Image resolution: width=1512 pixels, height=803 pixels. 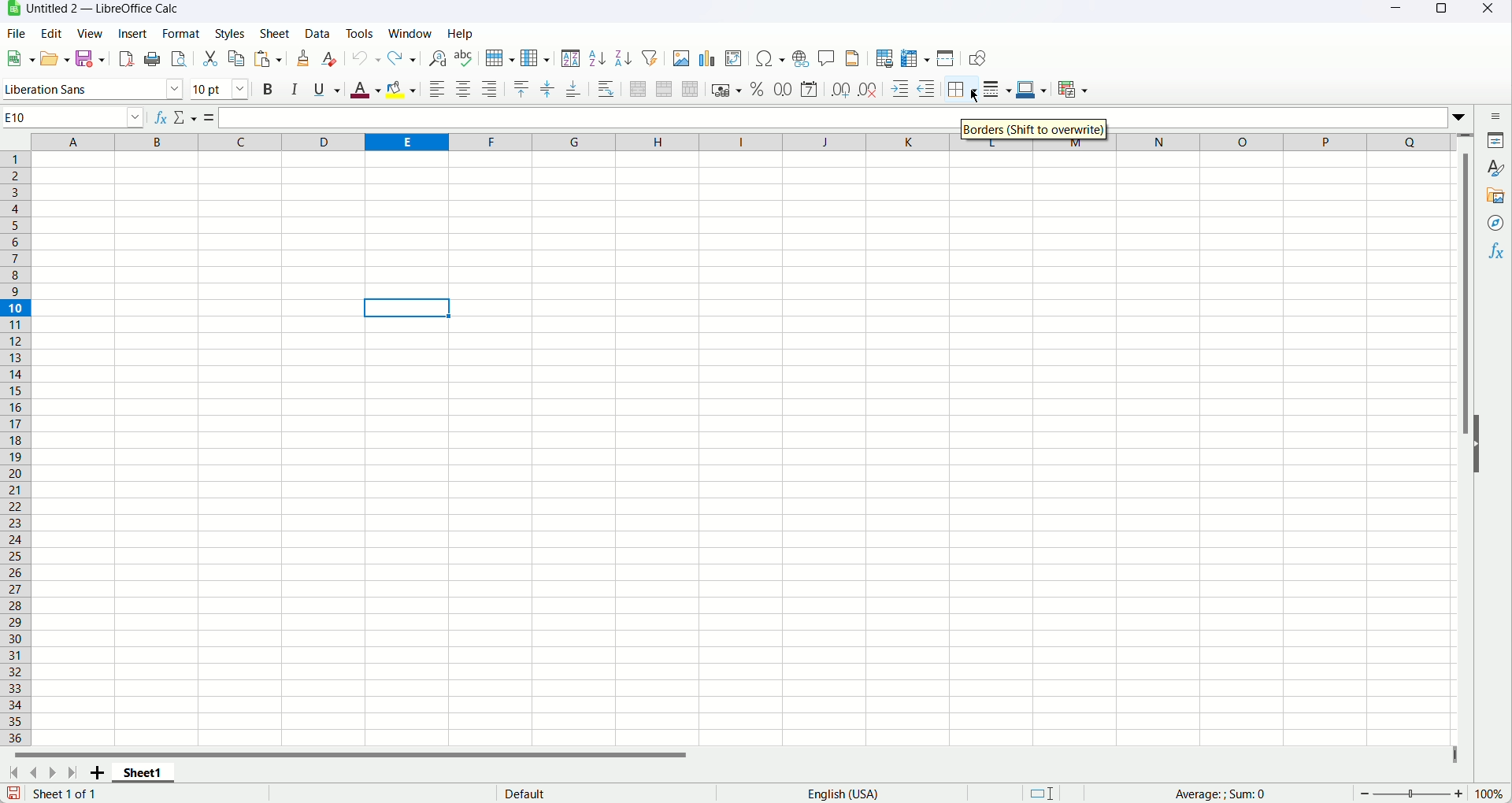 What do you see at coordinates (212, 117) in the screenshot?
I see `Formula` at bounding box center [212, 117].